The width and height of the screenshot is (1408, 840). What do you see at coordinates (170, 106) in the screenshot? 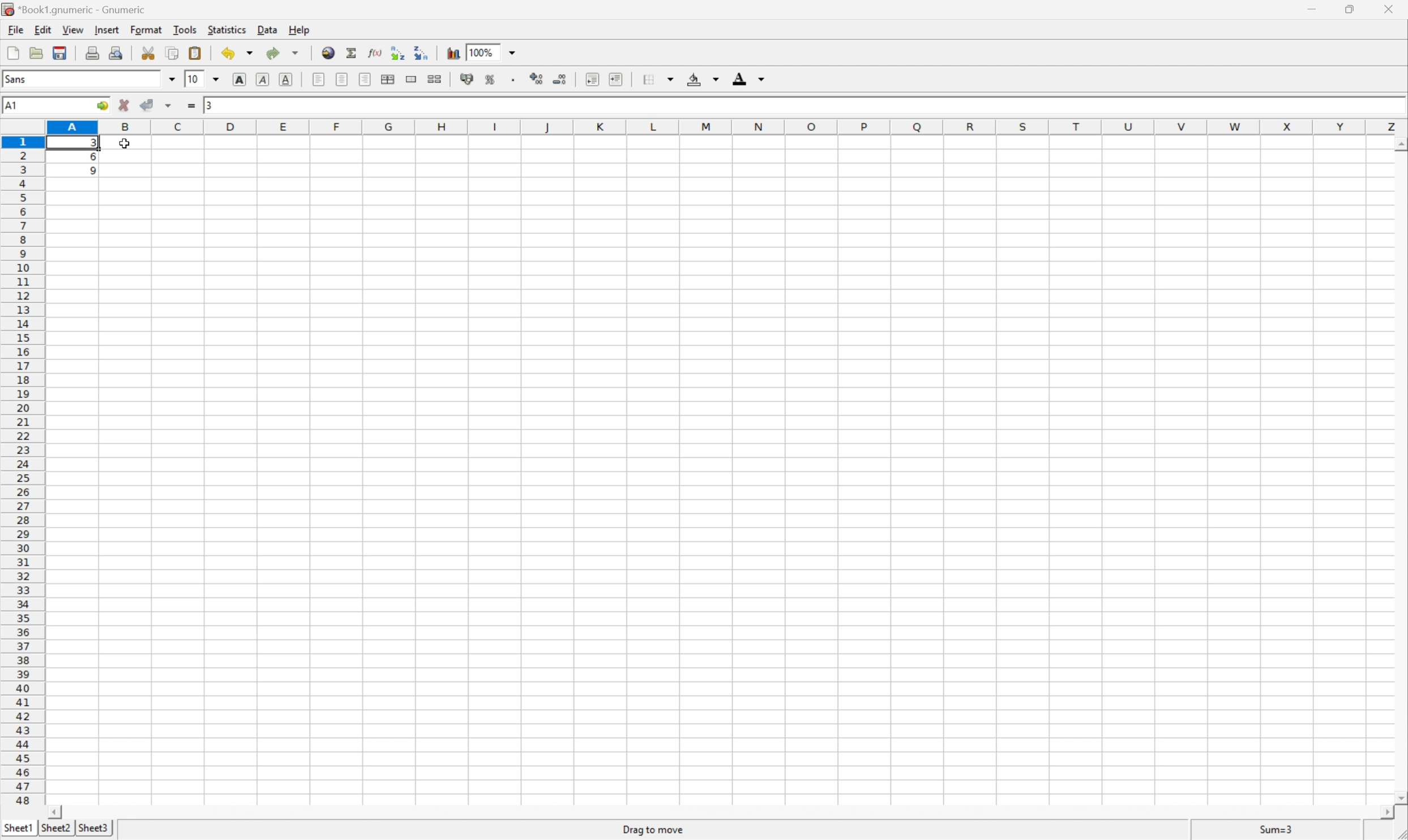
I see `Accept changes in multiple cells` at bounding box center [170, 106].